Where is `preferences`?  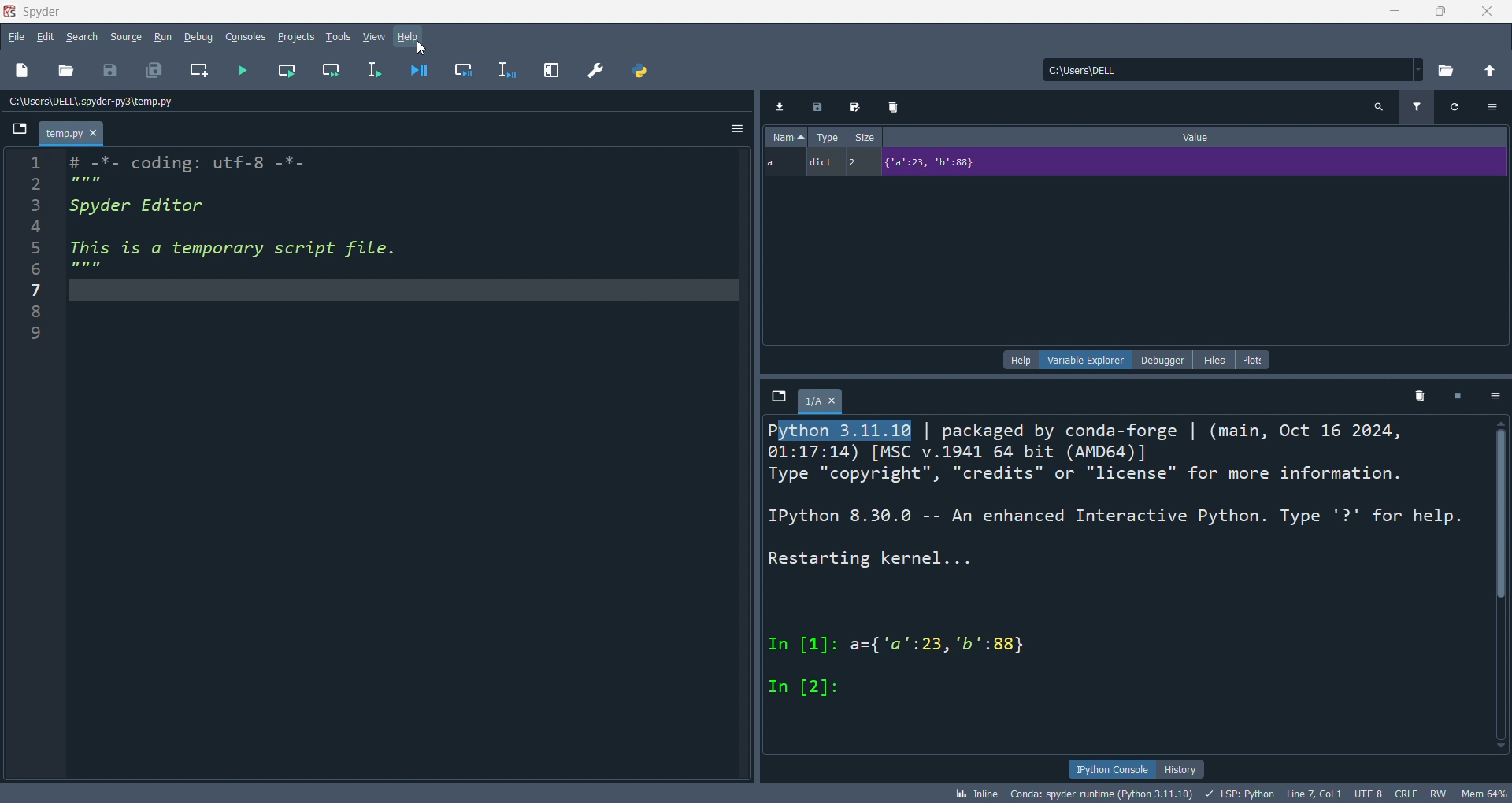
preferences is located at coordinates (598, 68).